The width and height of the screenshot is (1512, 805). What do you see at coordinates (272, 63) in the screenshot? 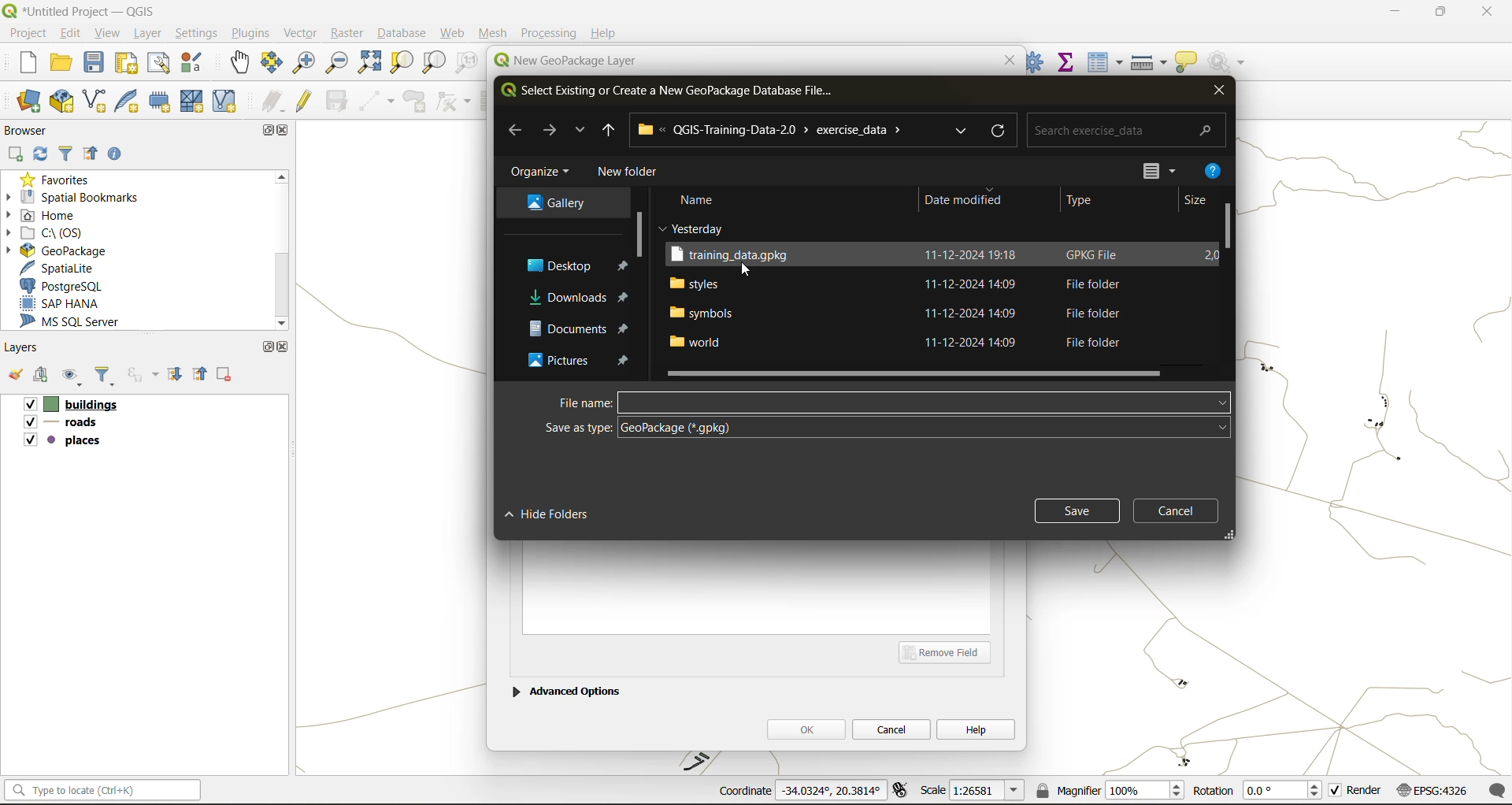
I see `pan selection` at bounding box center [272, 63].